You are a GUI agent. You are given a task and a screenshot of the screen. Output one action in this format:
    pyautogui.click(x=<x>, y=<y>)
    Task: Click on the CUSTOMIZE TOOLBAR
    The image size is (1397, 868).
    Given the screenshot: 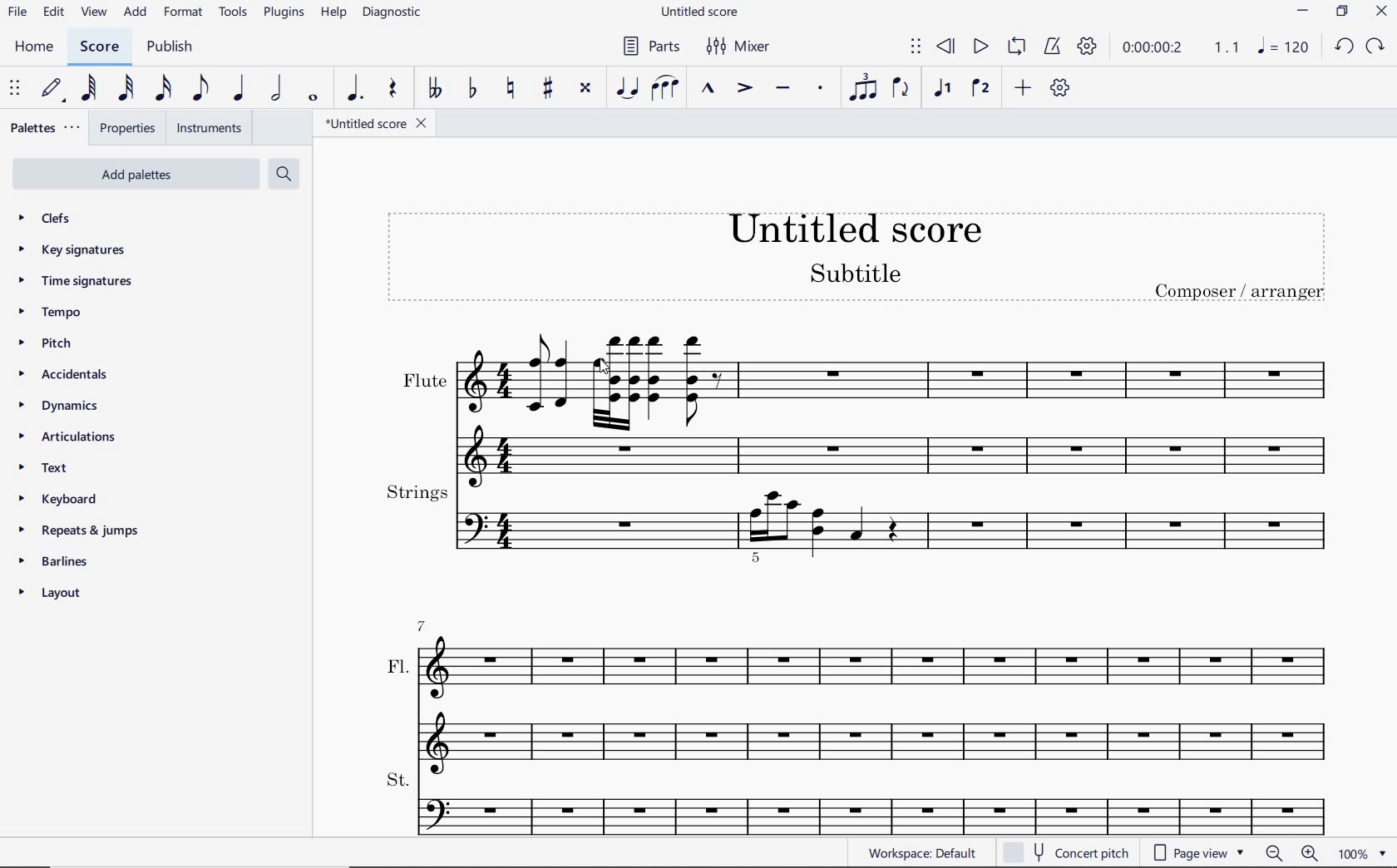 What is the action you would take?
    pyautogui.click(x=1062, y=91)
    